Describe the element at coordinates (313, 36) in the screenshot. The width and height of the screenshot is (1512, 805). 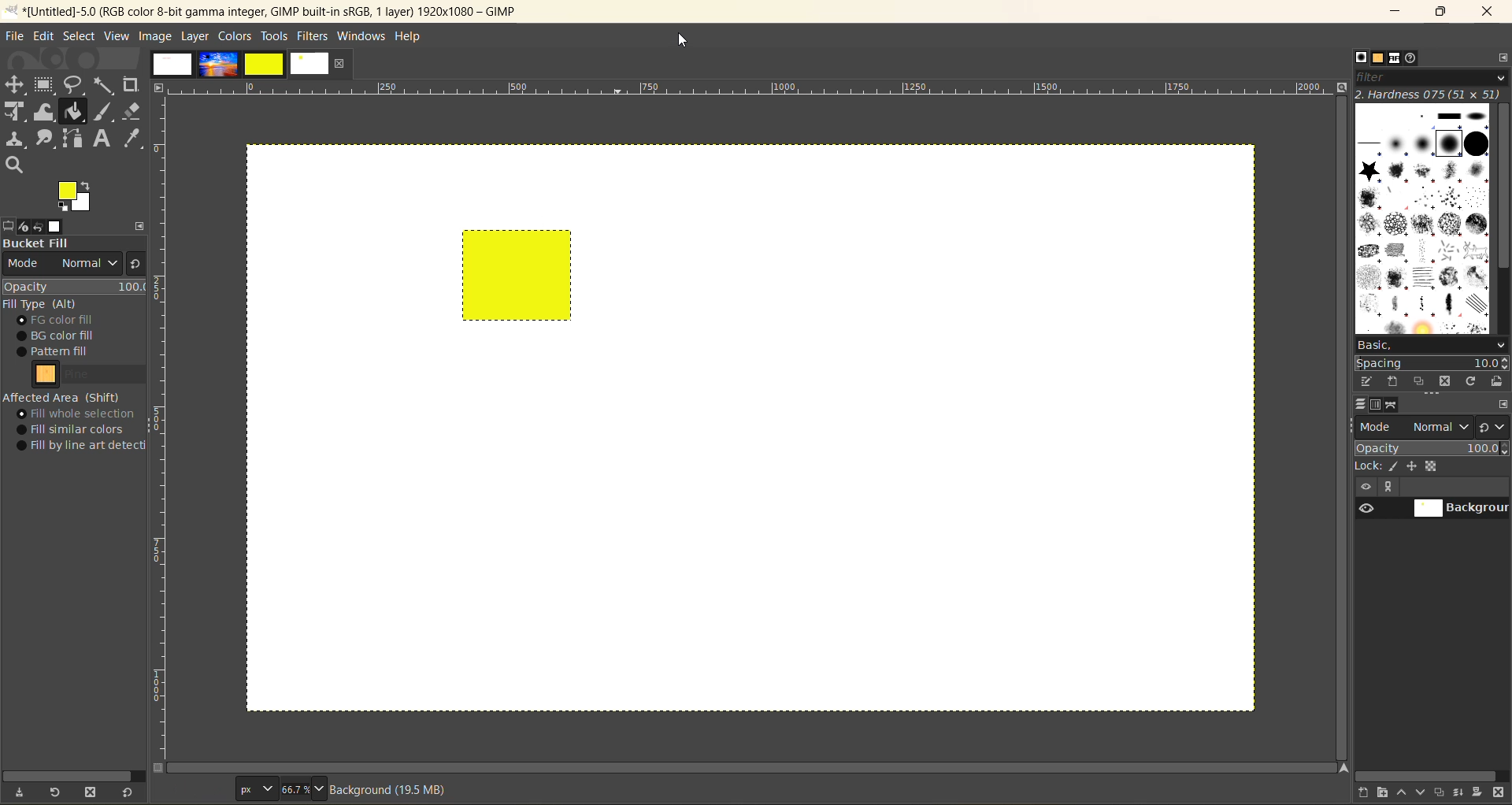
I see `filters` at that location.